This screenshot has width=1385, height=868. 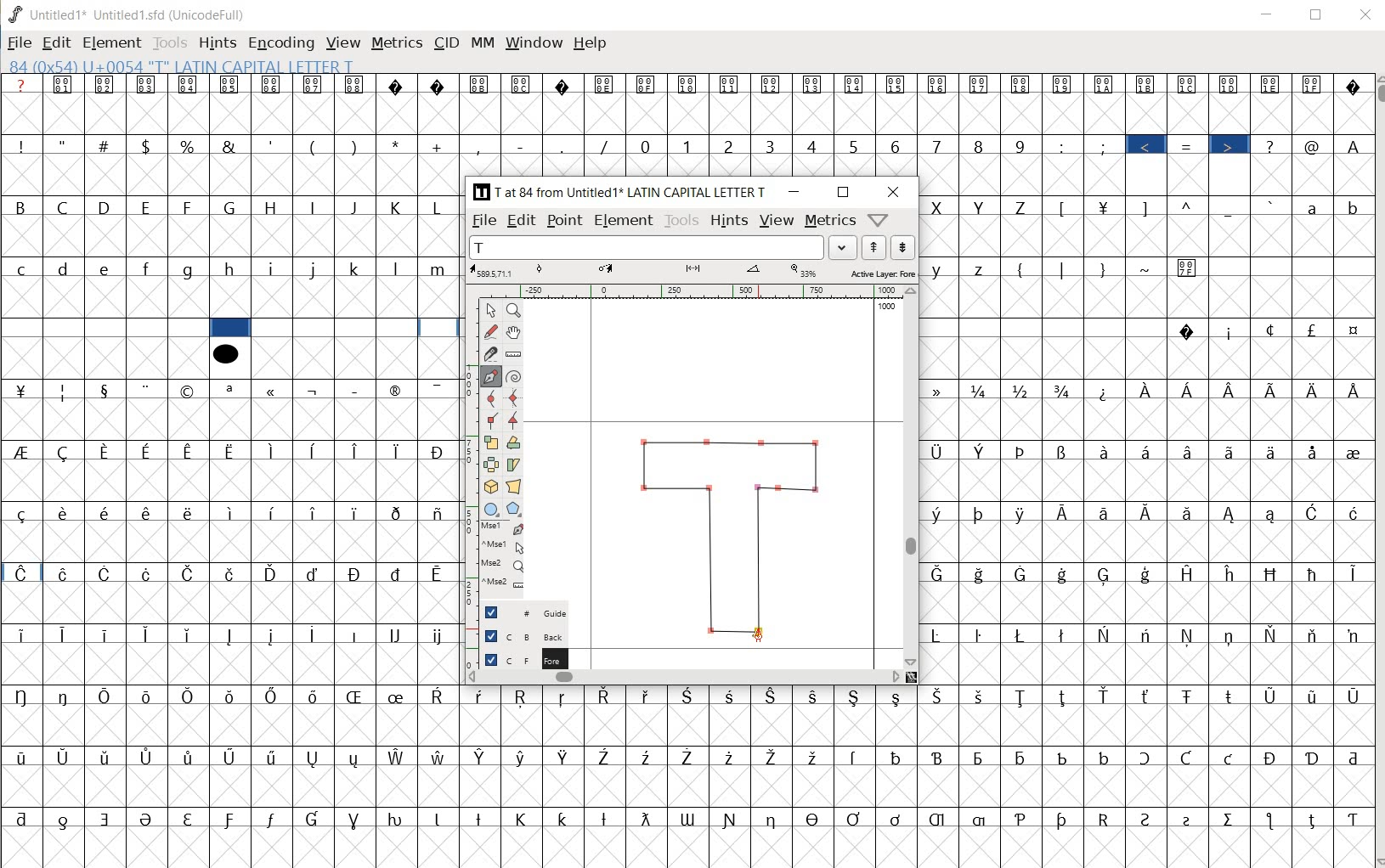 I want to click on , so click(x=981, y=817).